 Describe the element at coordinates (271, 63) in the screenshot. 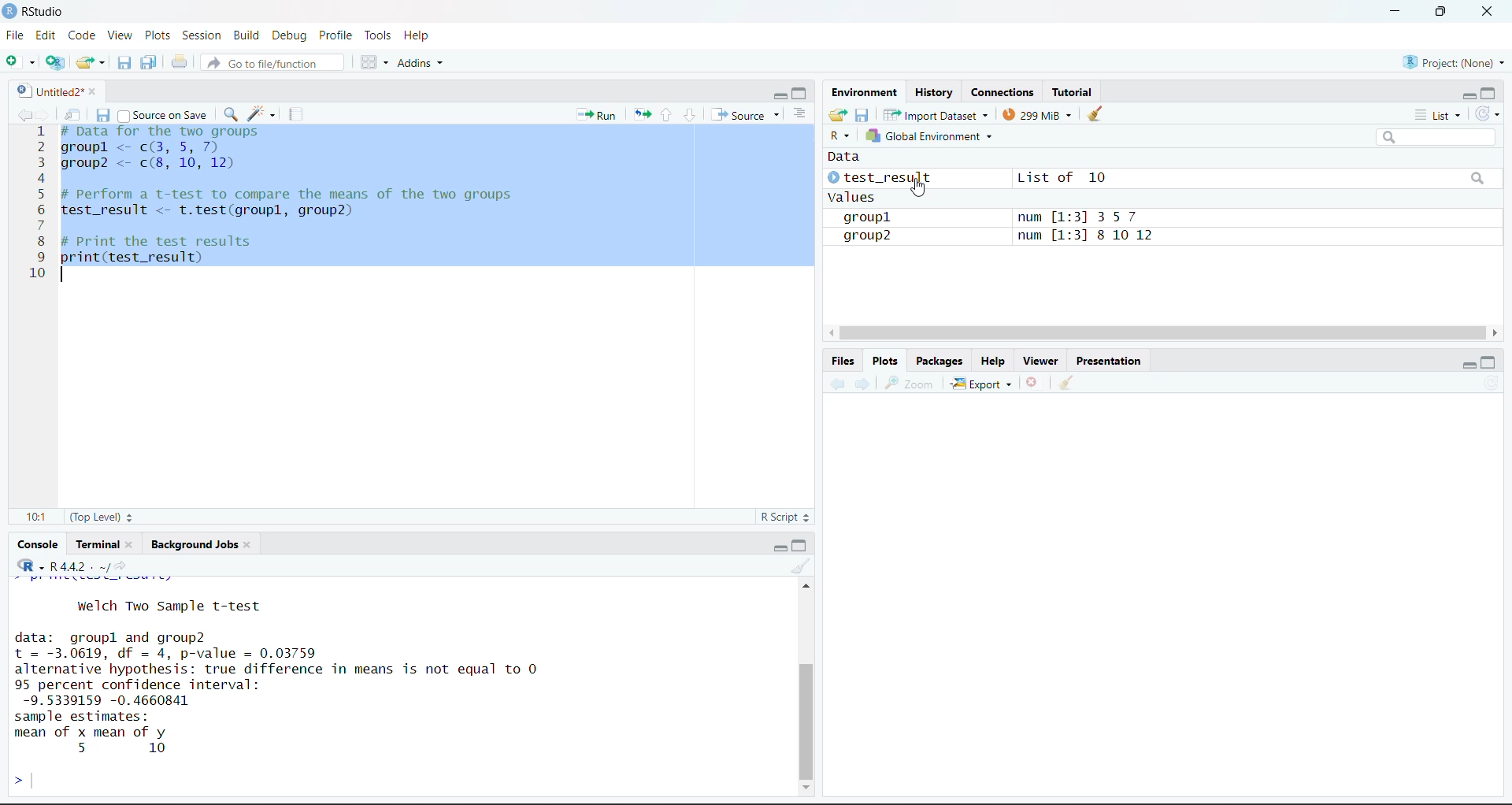

I see `go to file/function` at that location.